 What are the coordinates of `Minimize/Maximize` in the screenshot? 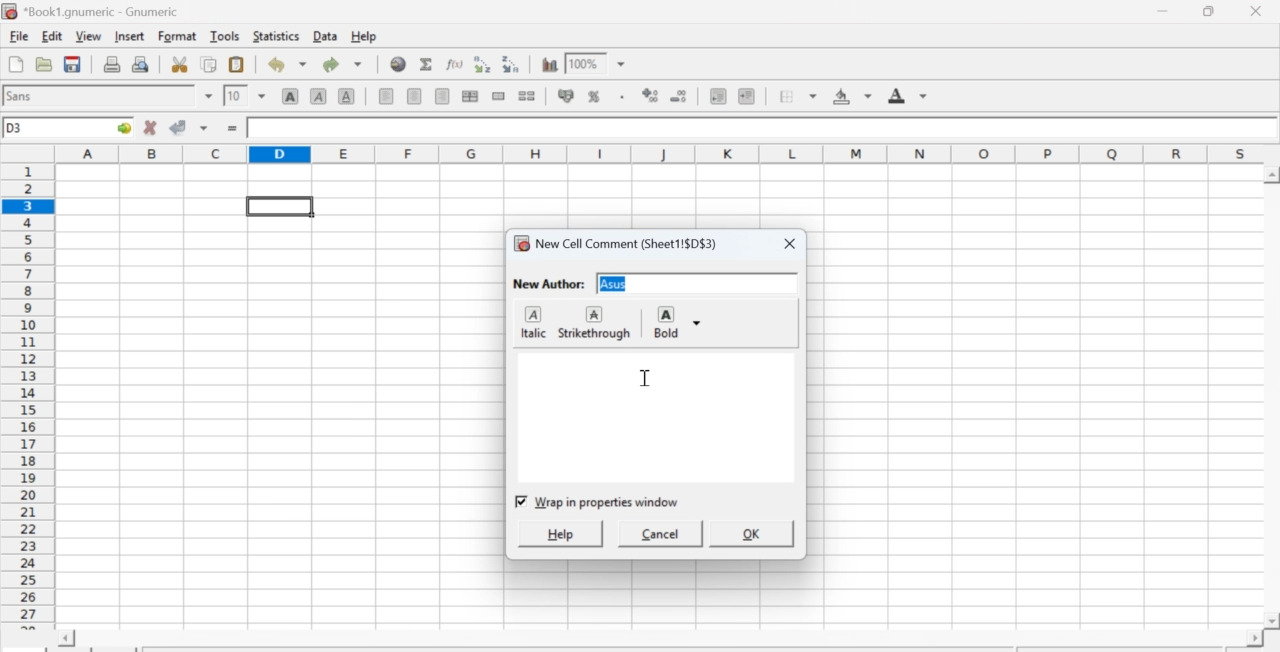 It's located at (1210, 12).